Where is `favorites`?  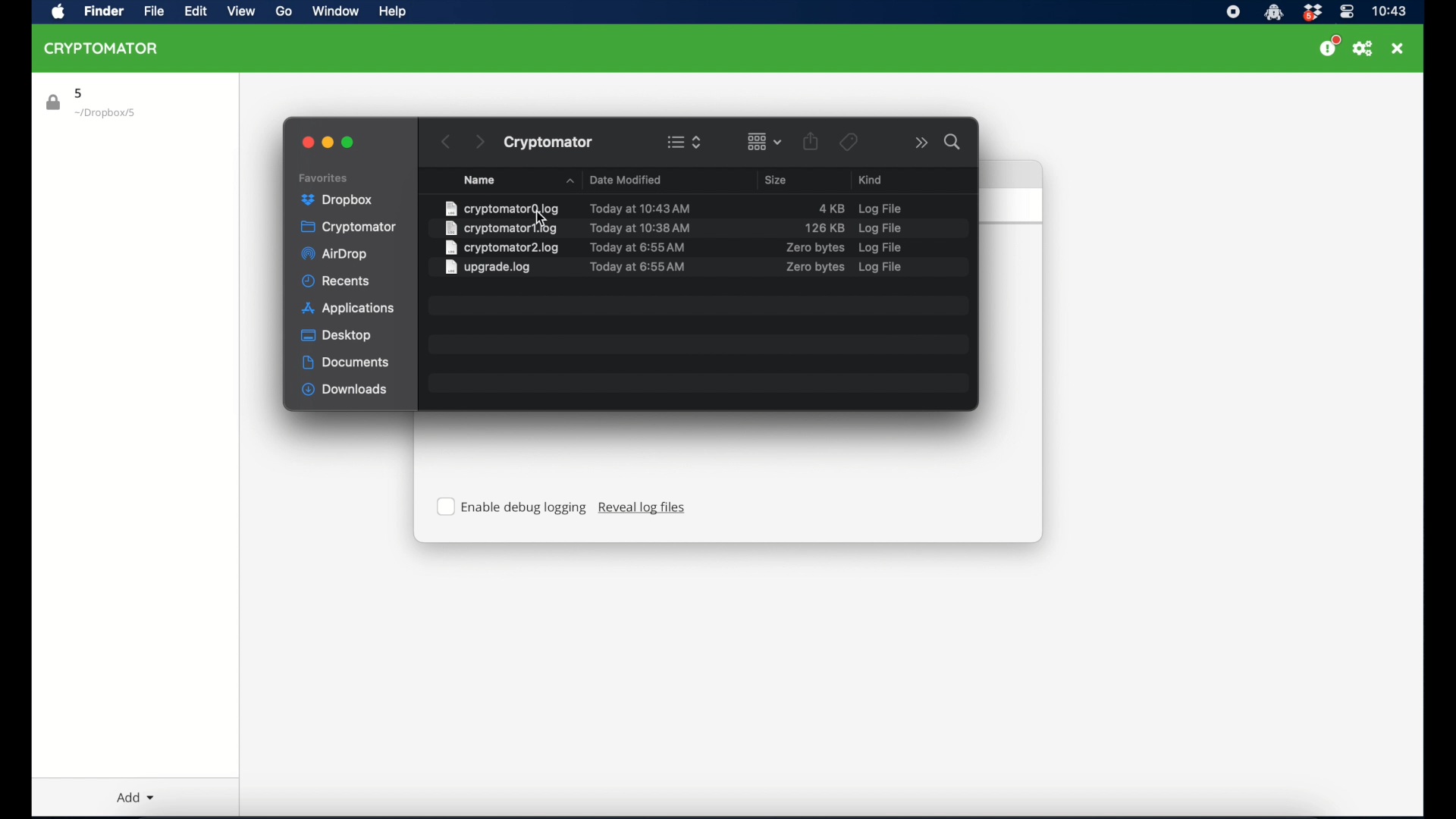 favorites is located at coordinates (324, 179).